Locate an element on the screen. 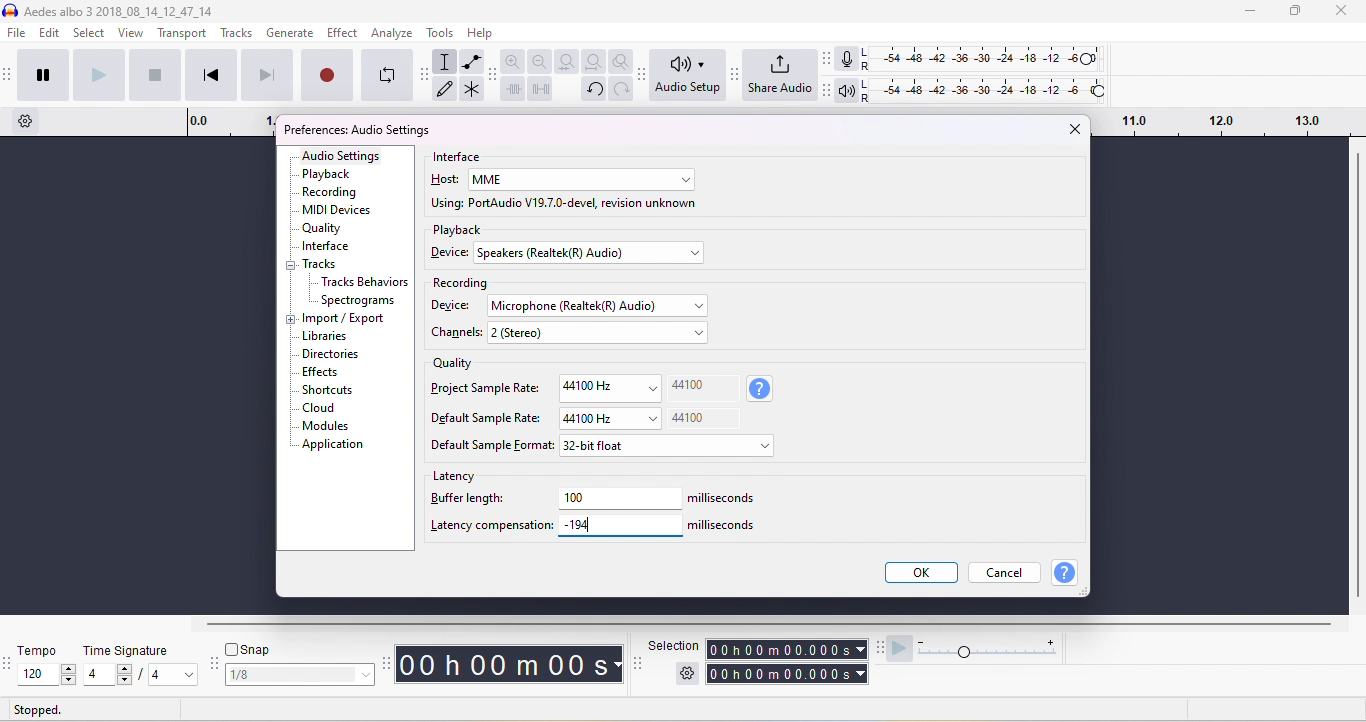 This screenshot has height=722, width=1366. playback meter is located at coordinates (849, 91).